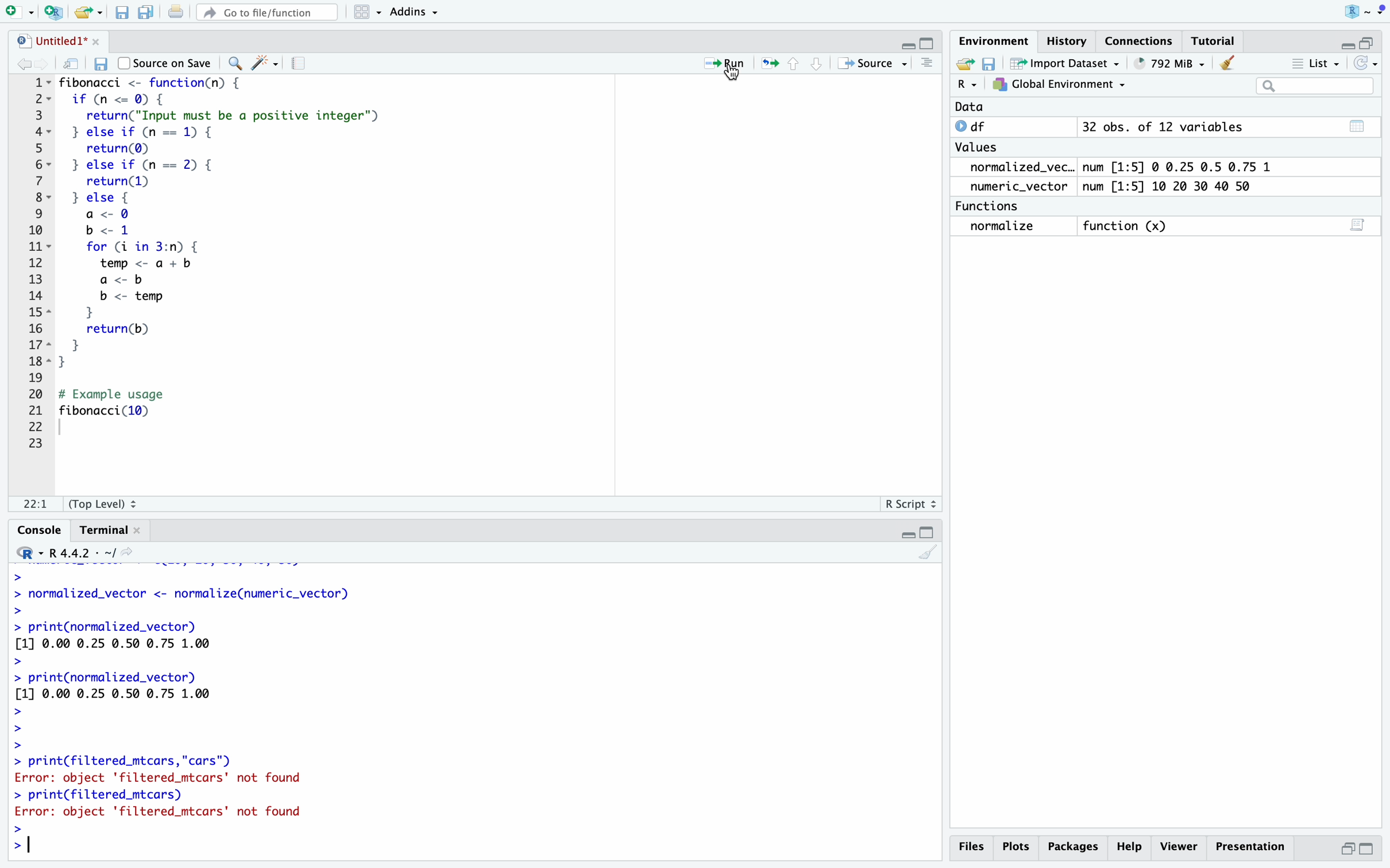 The image size is (1390, 868). What do you see at coordinates (111, 688) in the screenshot?
I see `> print(hormalized_vector)
[1] 0.00 0.25 0.50 0.75 1.00` at bounding box center [111, 688].